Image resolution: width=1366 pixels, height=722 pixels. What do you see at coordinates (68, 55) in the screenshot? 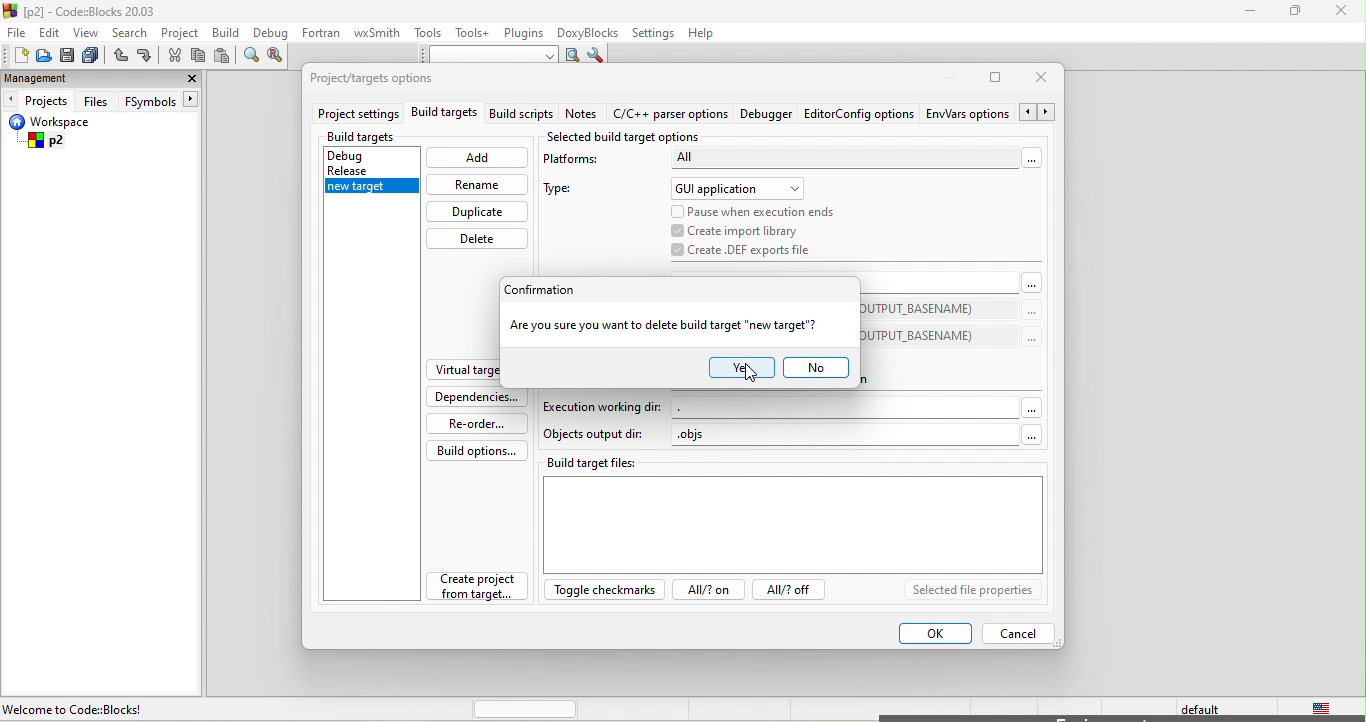
I see `save` at bounding box center [68, 55].